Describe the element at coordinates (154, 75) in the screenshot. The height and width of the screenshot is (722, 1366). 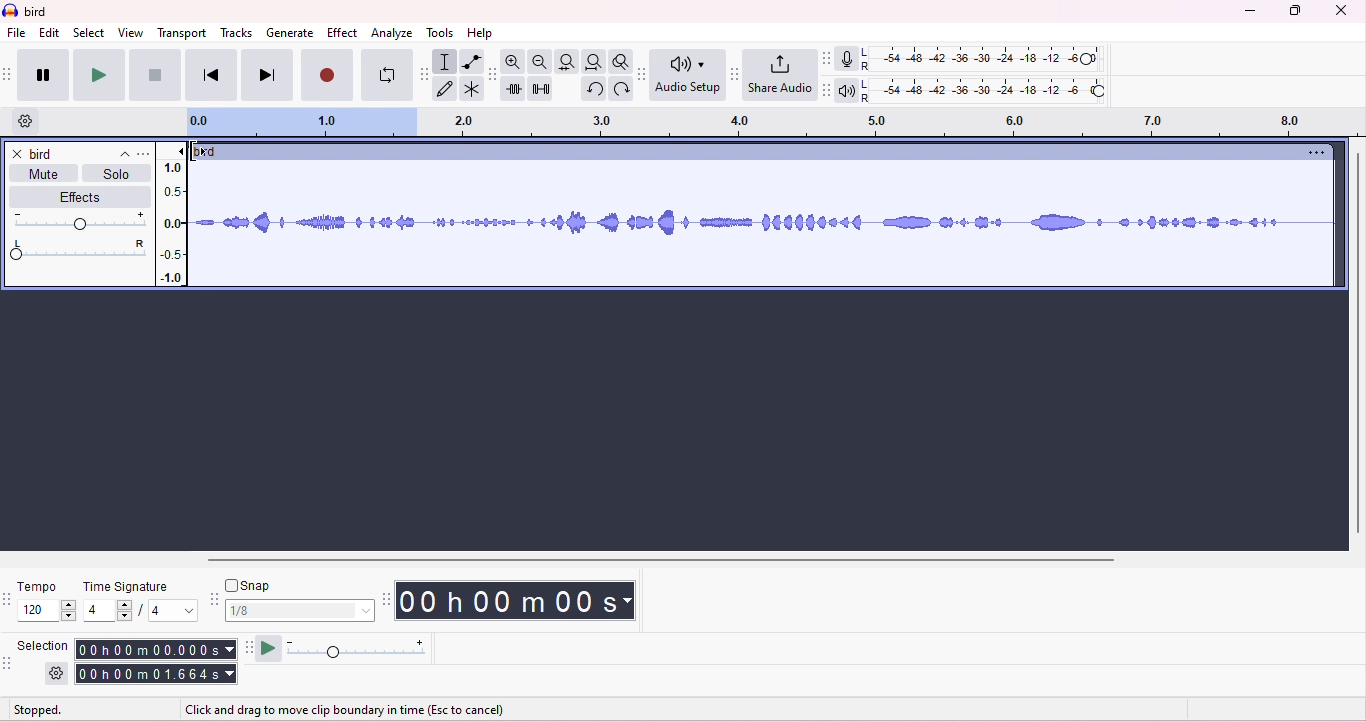
I see `stop` at that location.